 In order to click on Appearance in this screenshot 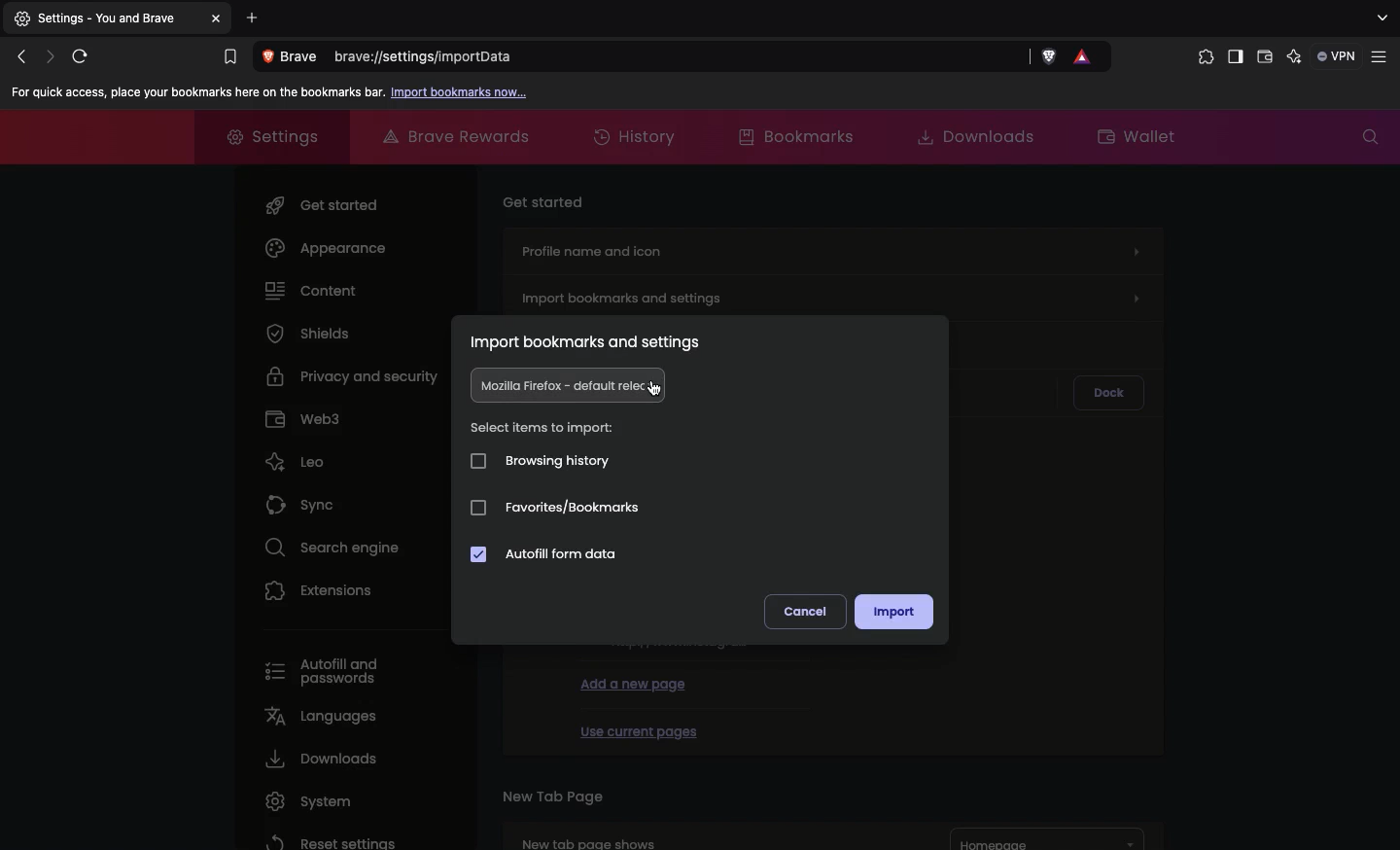, I will do `click(326, 248)`.